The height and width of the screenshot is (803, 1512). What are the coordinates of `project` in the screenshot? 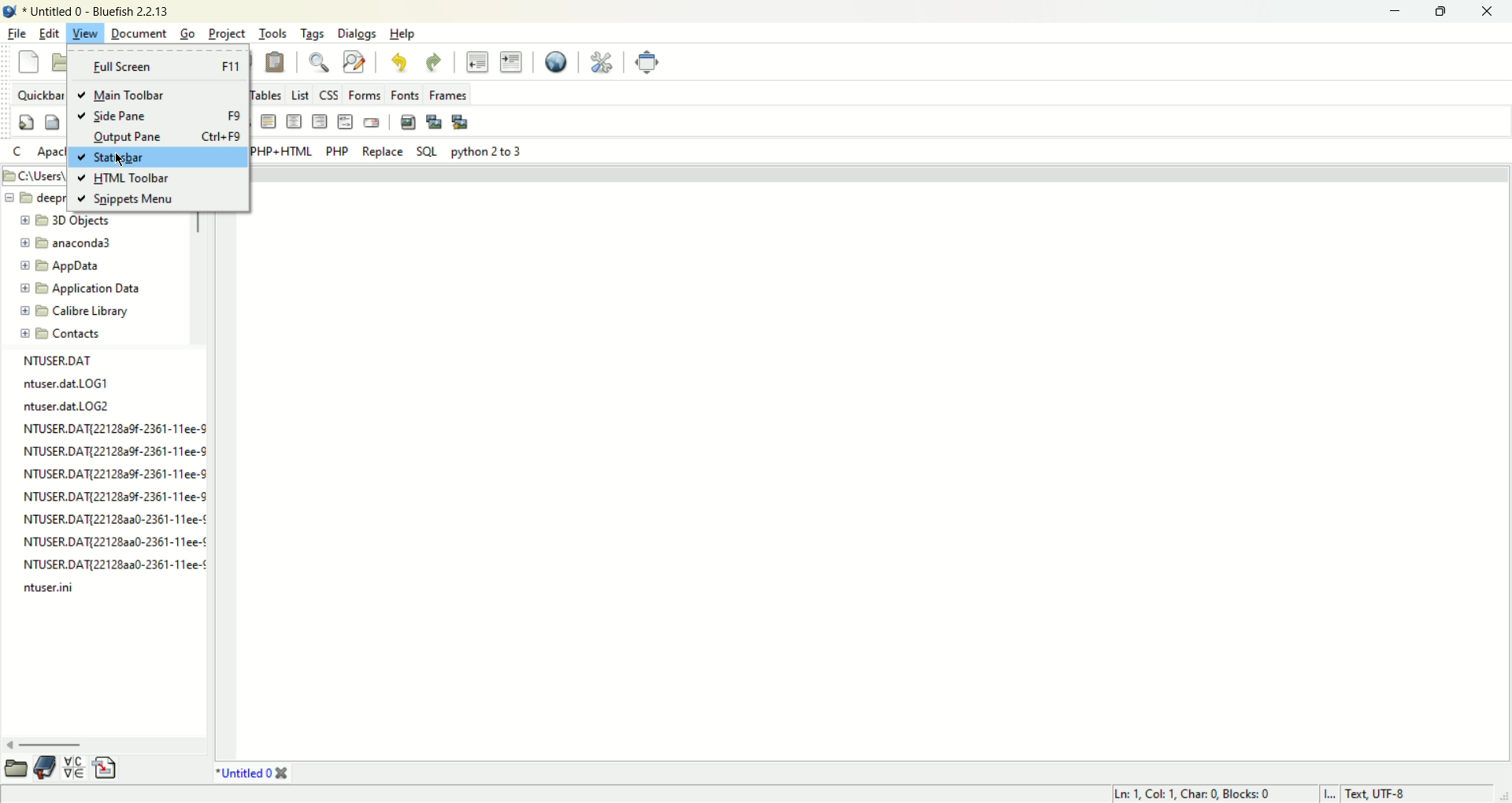 It's located at (227, 34).